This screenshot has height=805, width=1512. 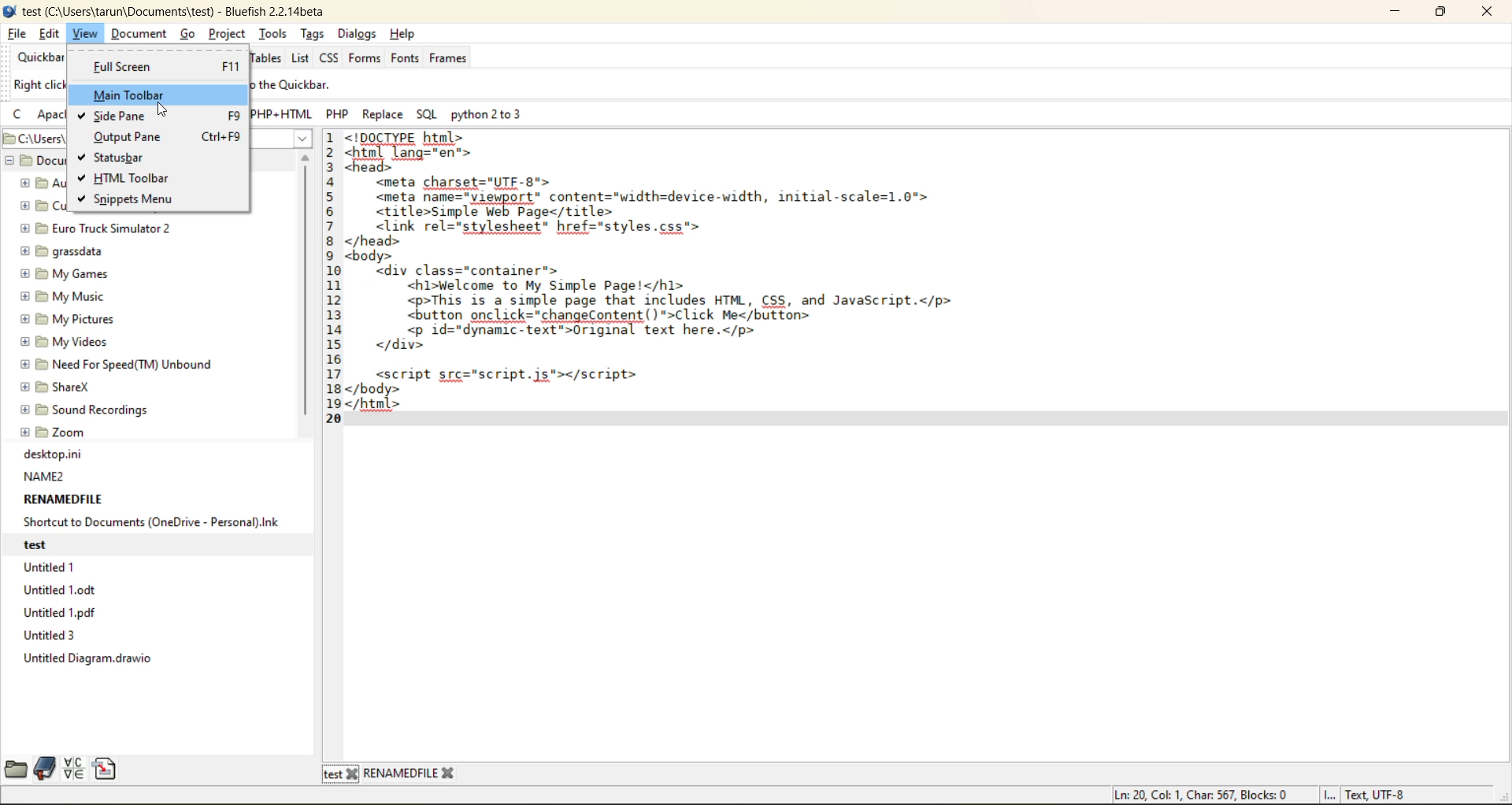 What do you see at coordinates (333, 60) in the screenshot?
I see `css` at bounding box center [333, 60].